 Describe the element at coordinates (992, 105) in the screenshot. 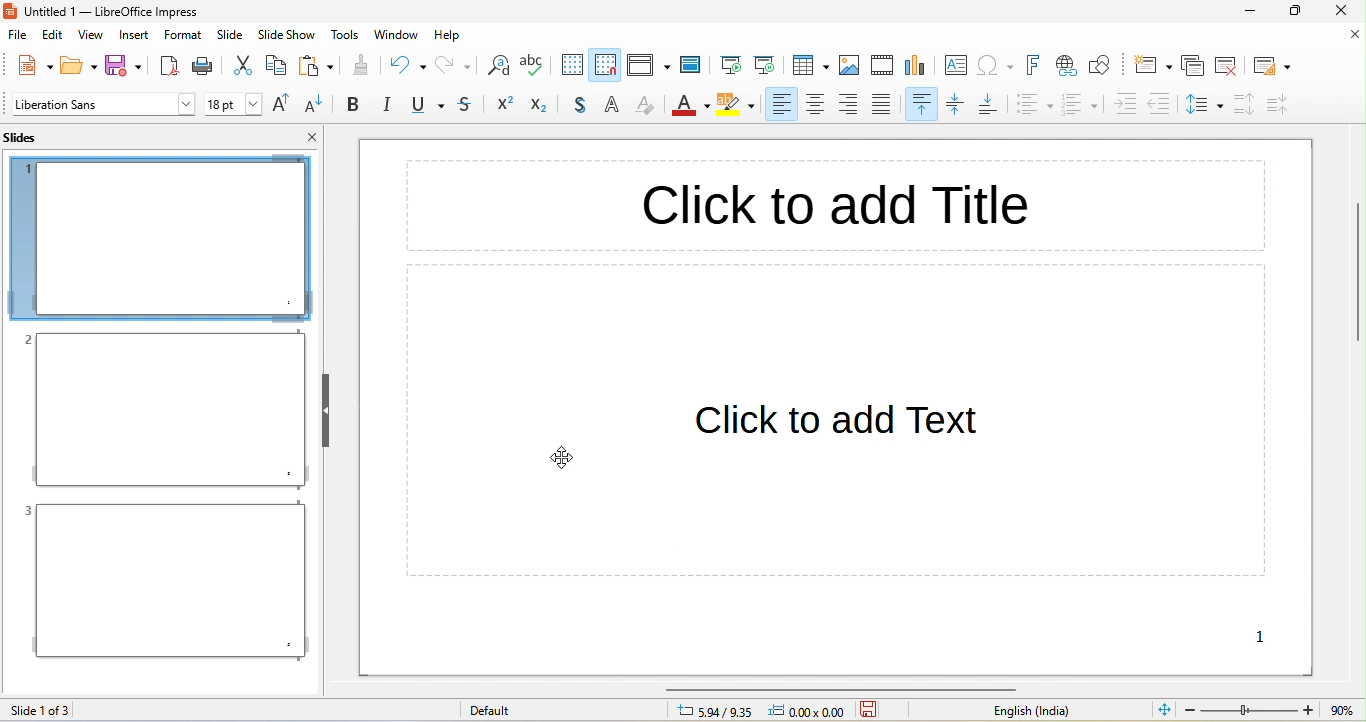

I see `align bottom` at that location.